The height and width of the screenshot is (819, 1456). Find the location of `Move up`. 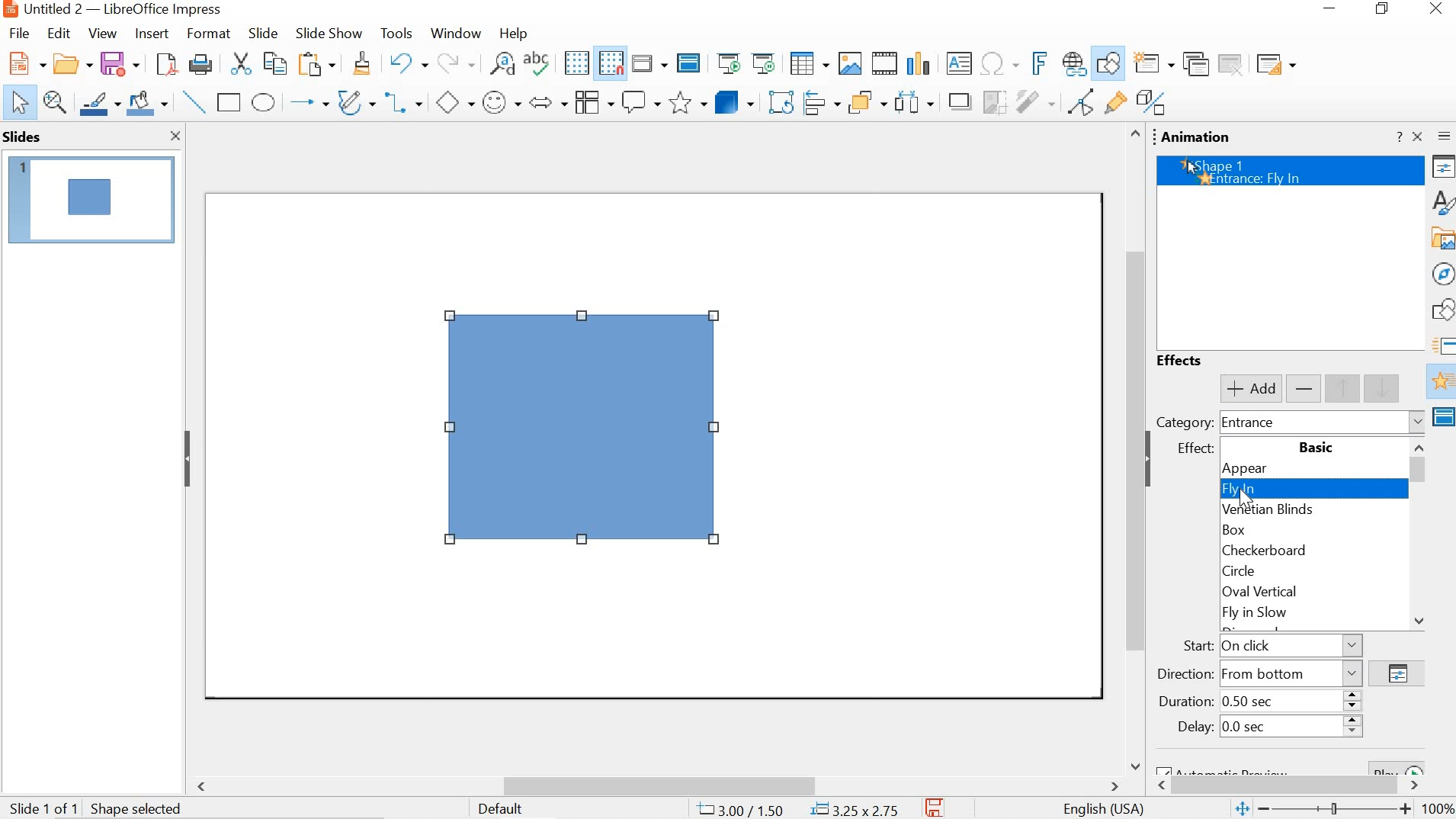

Move up is located at coordinates (1420, 446).